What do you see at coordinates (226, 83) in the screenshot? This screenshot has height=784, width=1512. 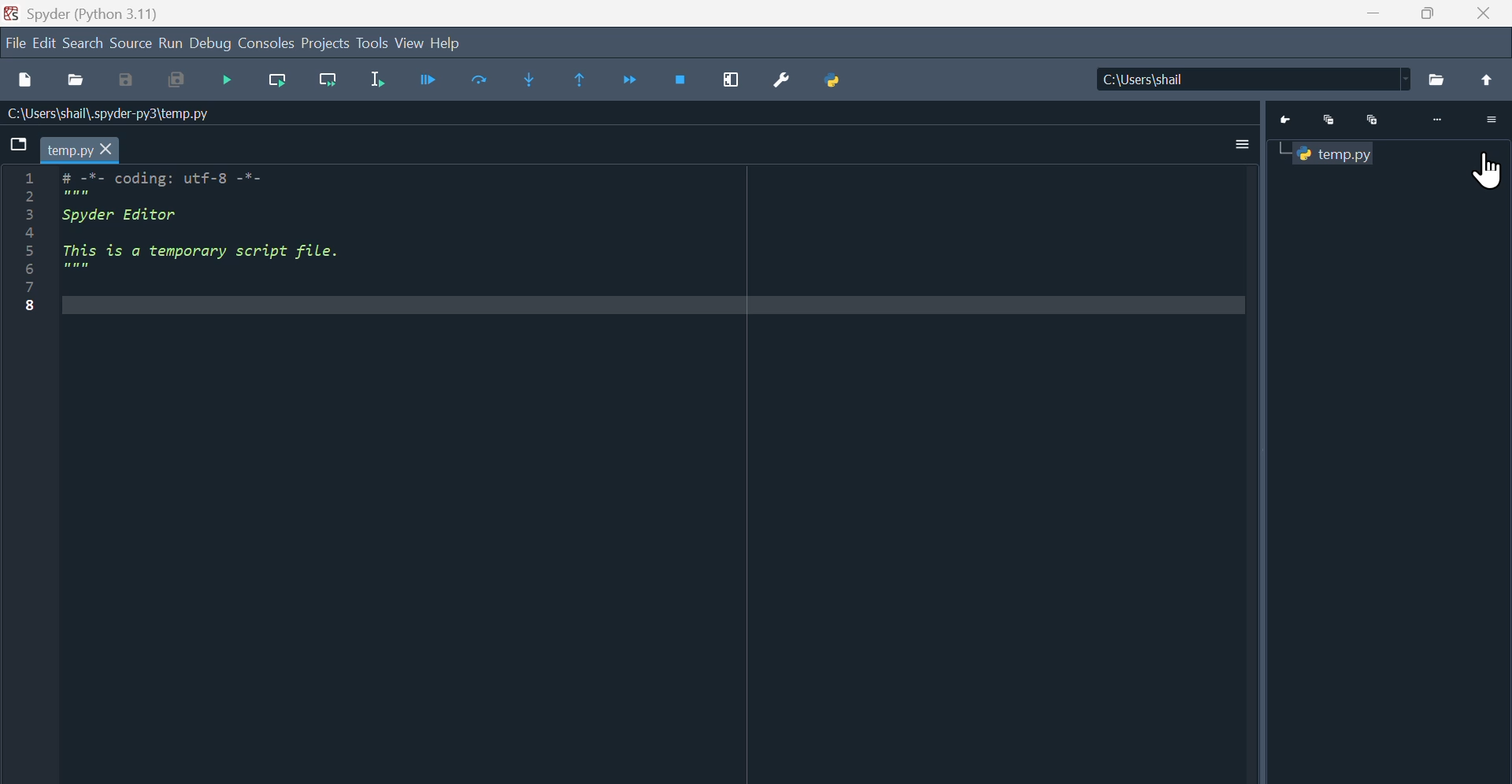 I see `` at bounding box center [226, 83].